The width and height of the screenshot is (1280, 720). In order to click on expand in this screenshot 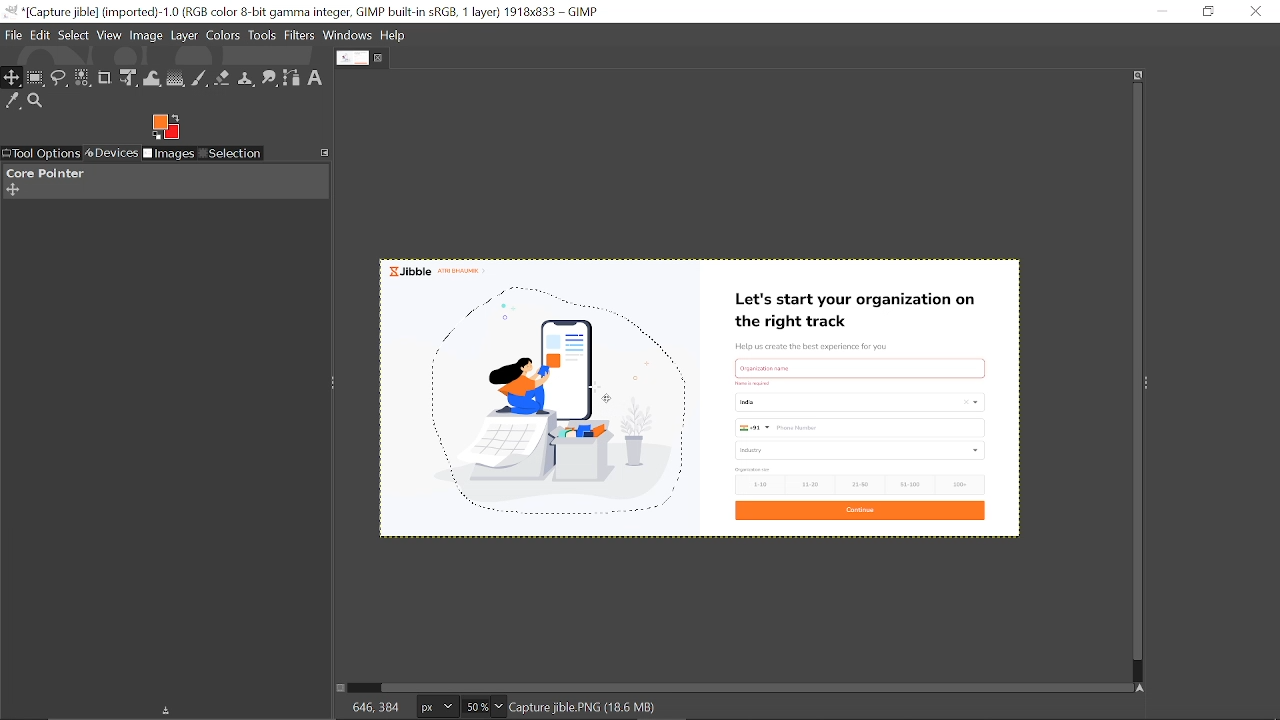, I will do `click(165, 125)`.